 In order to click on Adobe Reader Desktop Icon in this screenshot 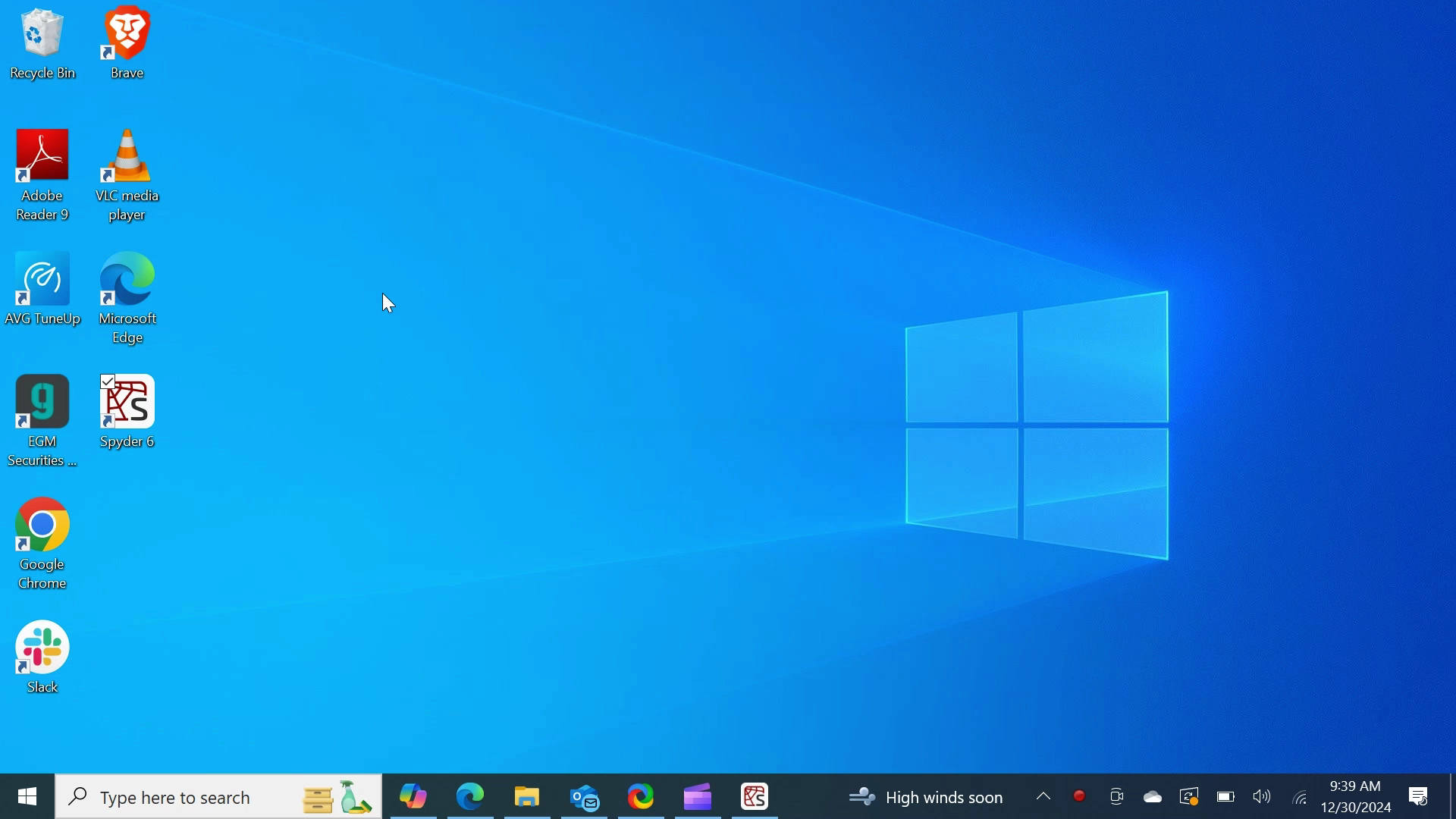, I will do `click(45, 179)`.